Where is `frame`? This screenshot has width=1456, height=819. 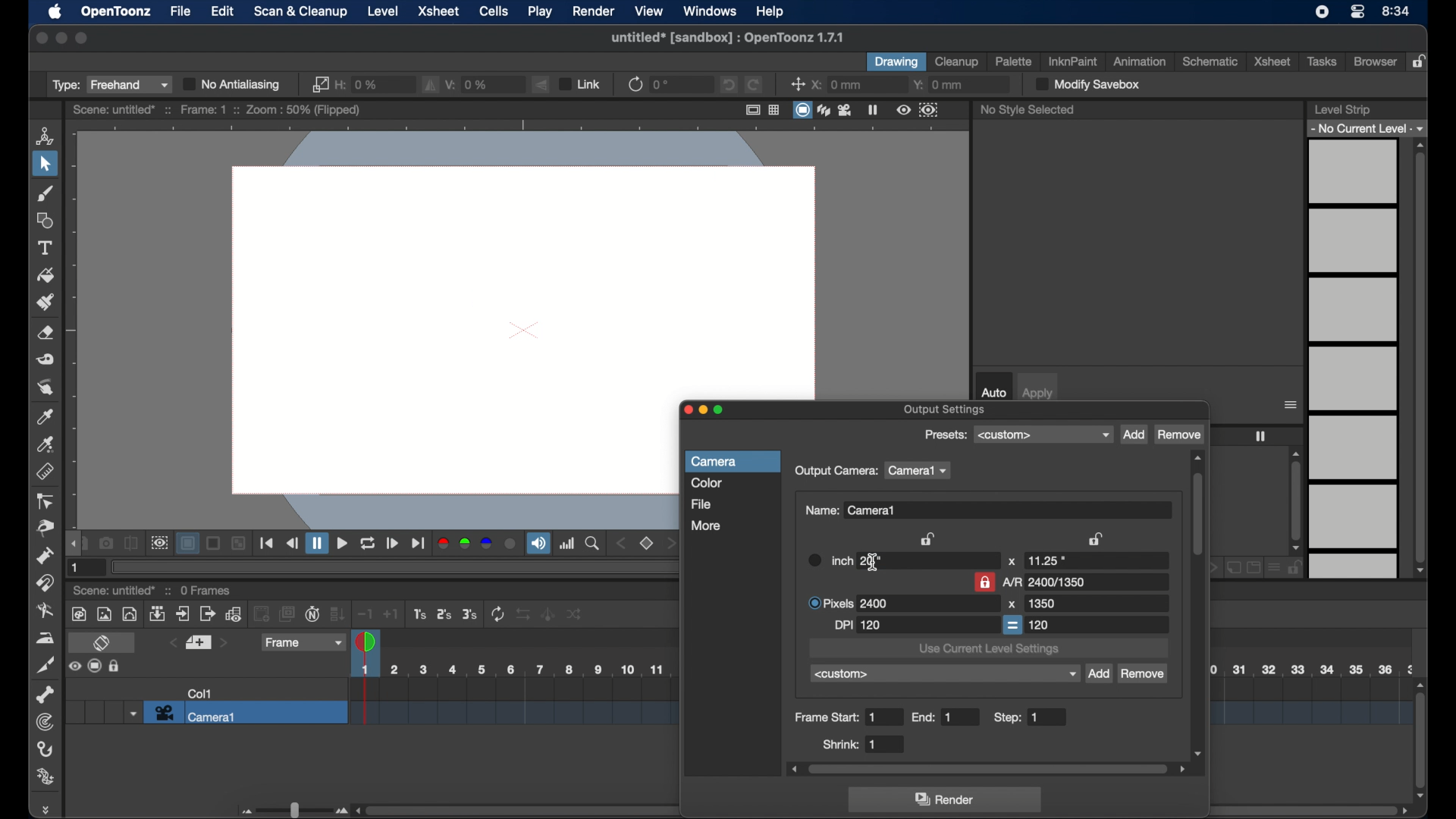 frame is located at coordinates (301, 642).